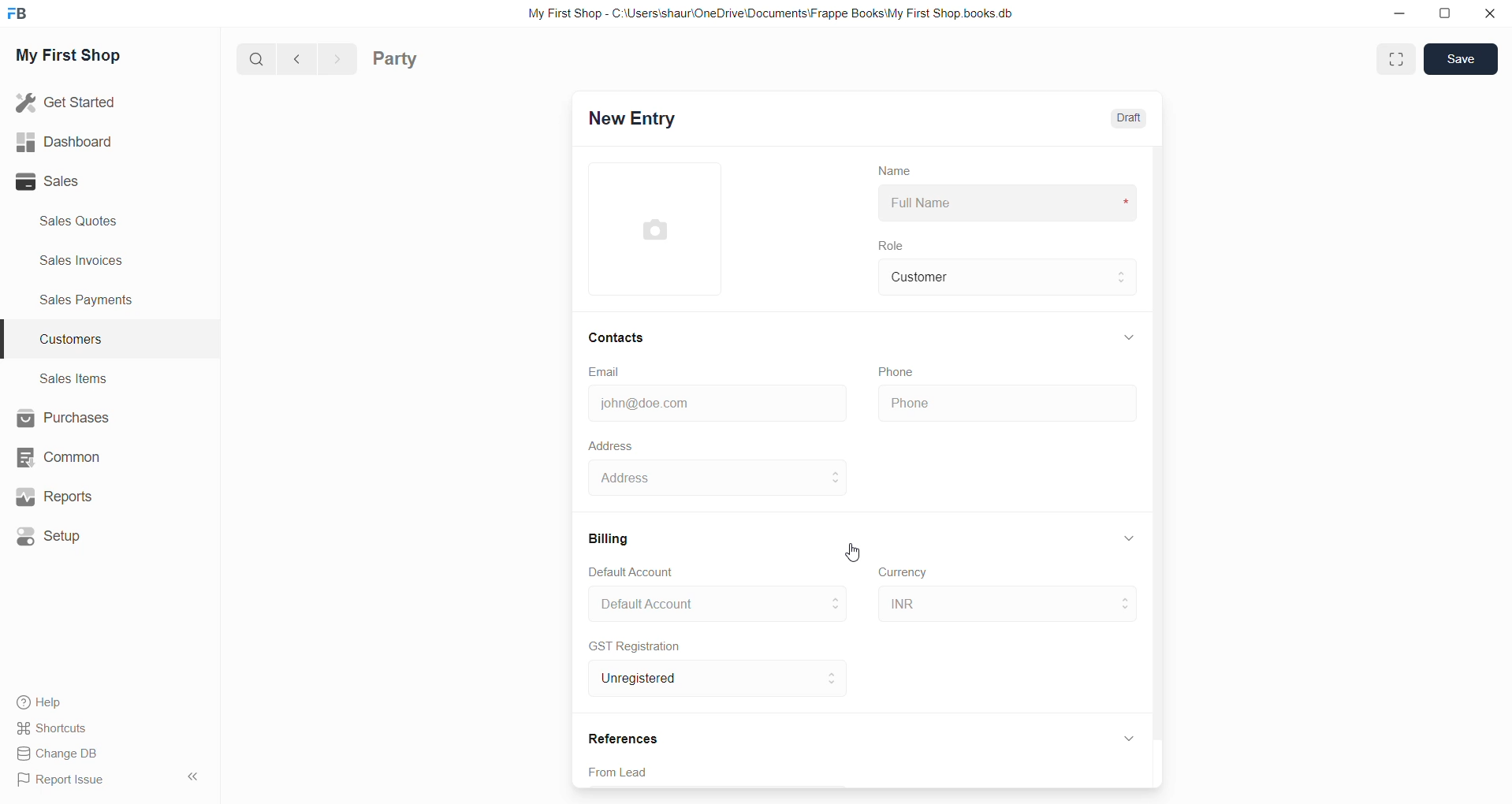 The image size is (1512, 804). Describe the element at coordinates (712, 400) in the screenshot. I see `email Input box` at that location.